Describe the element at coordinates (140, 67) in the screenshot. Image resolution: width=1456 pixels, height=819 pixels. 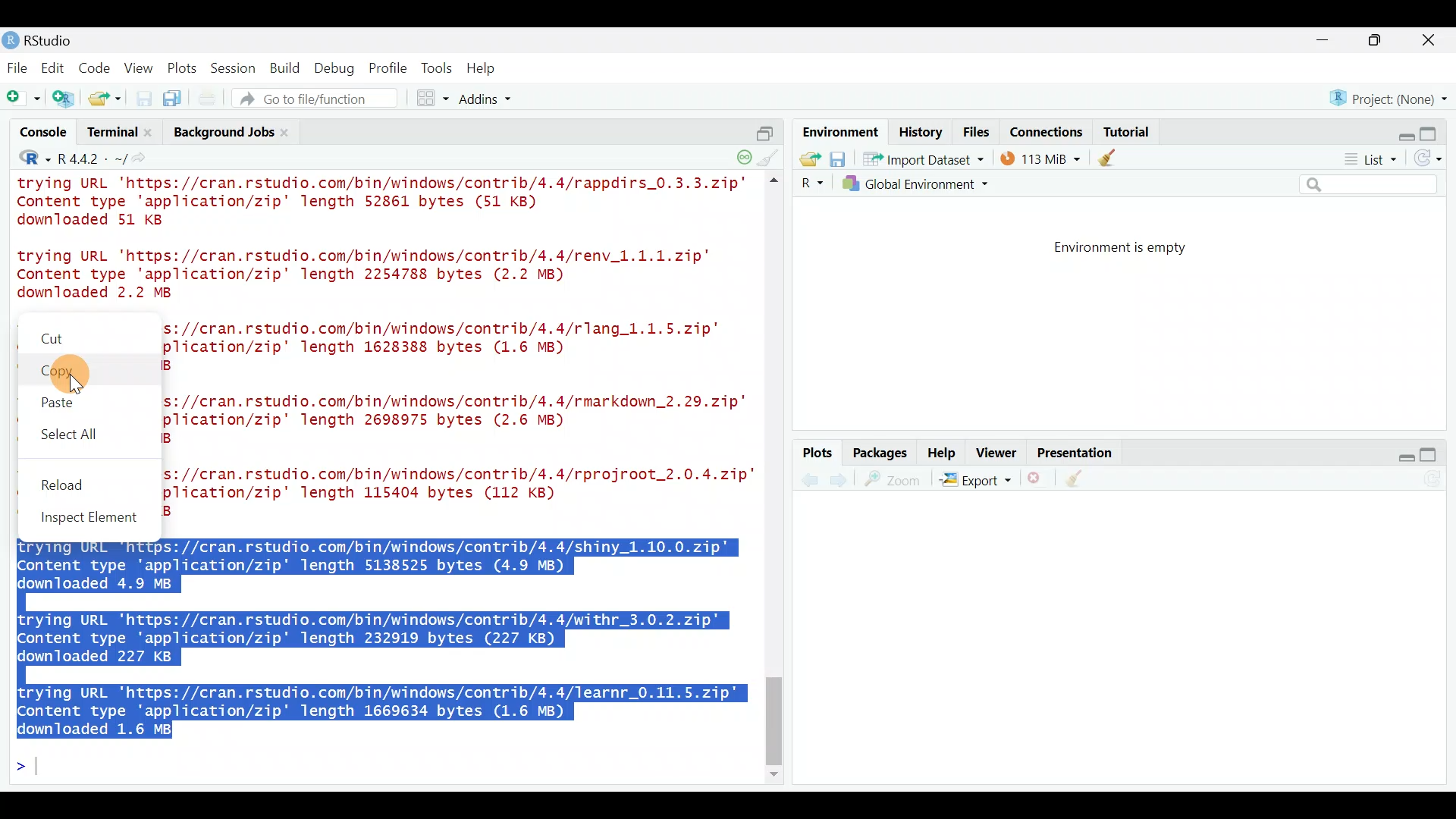
I see `View` at that location.